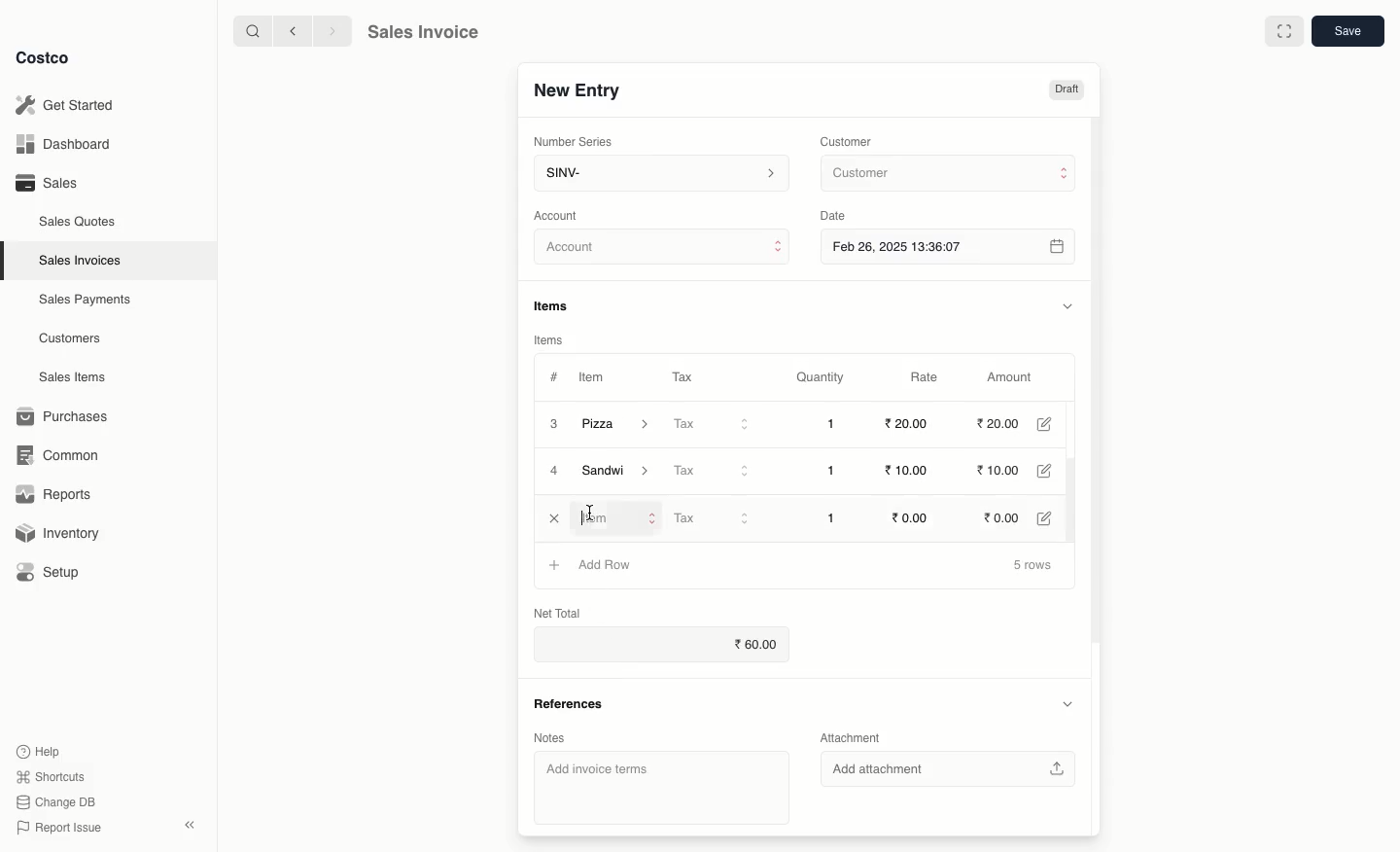 This screenshot has height=852, width=1400. What do you see at coordinates (716, 518) in the screenshot?
I see `Tax` at bounding box center [716, 518].